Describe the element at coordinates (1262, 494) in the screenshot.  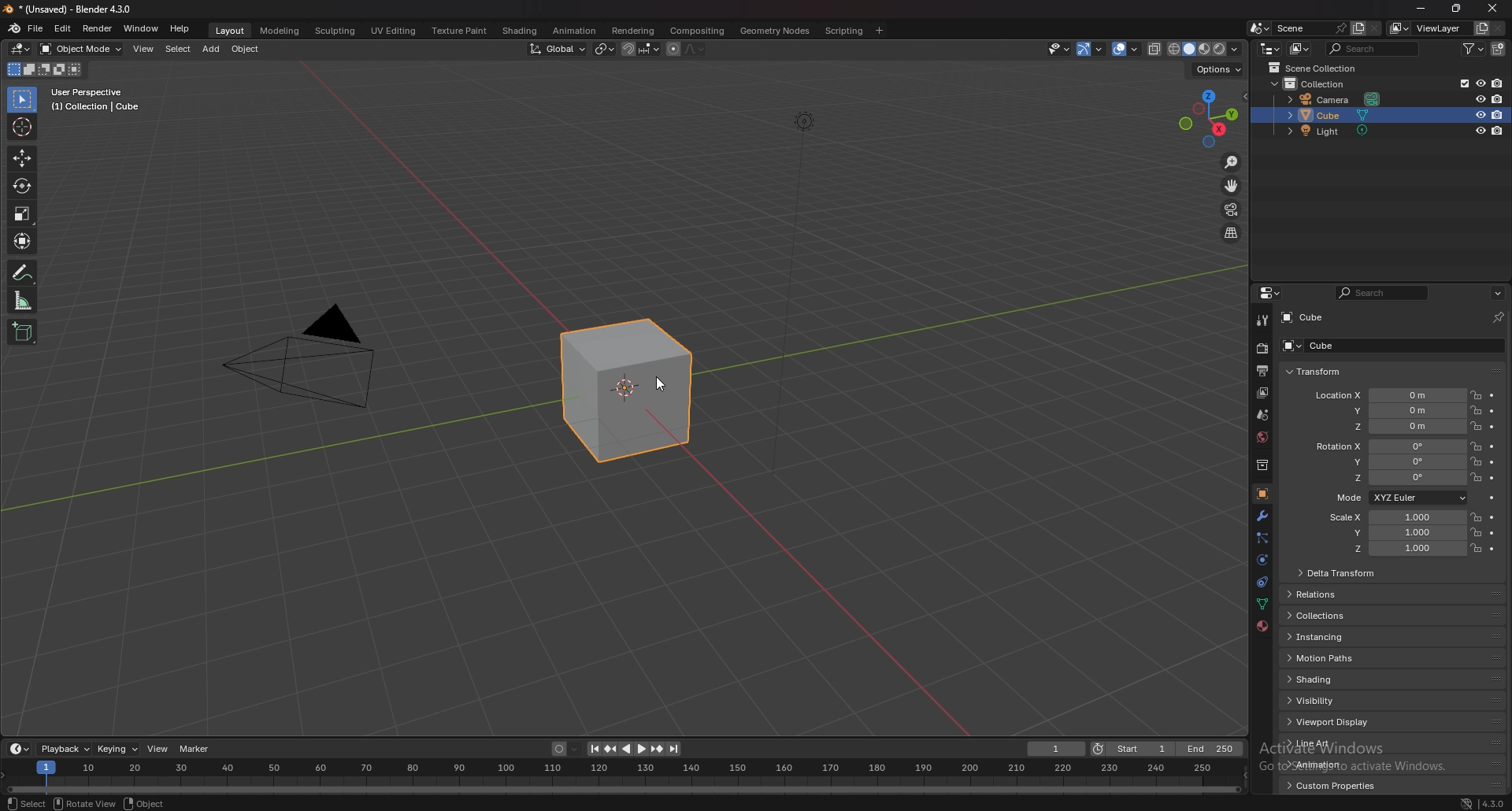
I see `object` at that location.